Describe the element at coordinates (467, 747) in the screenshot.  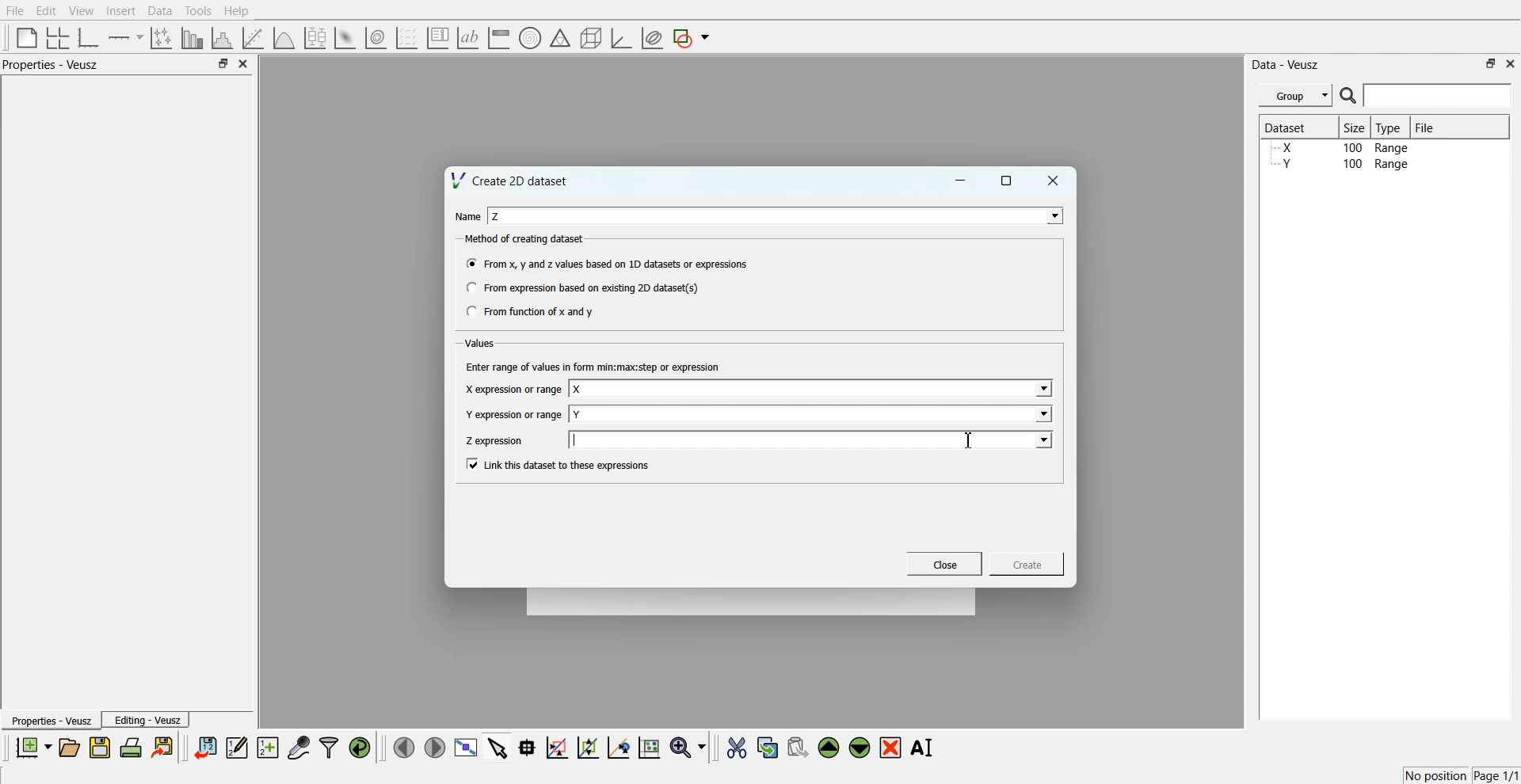
I see `View plot full screen` at that location.